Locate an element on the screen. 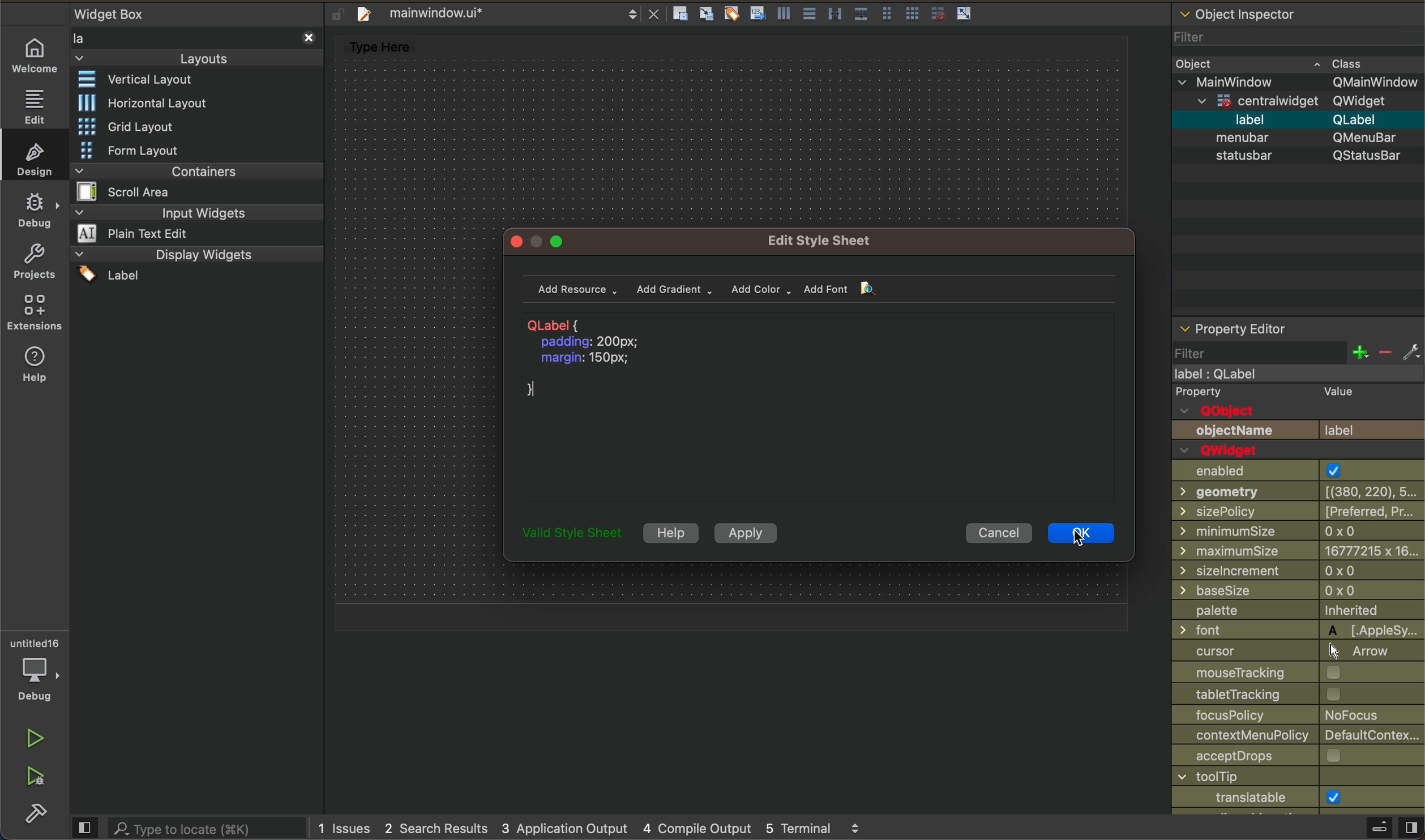  label is located at coordinates (1298, 119).